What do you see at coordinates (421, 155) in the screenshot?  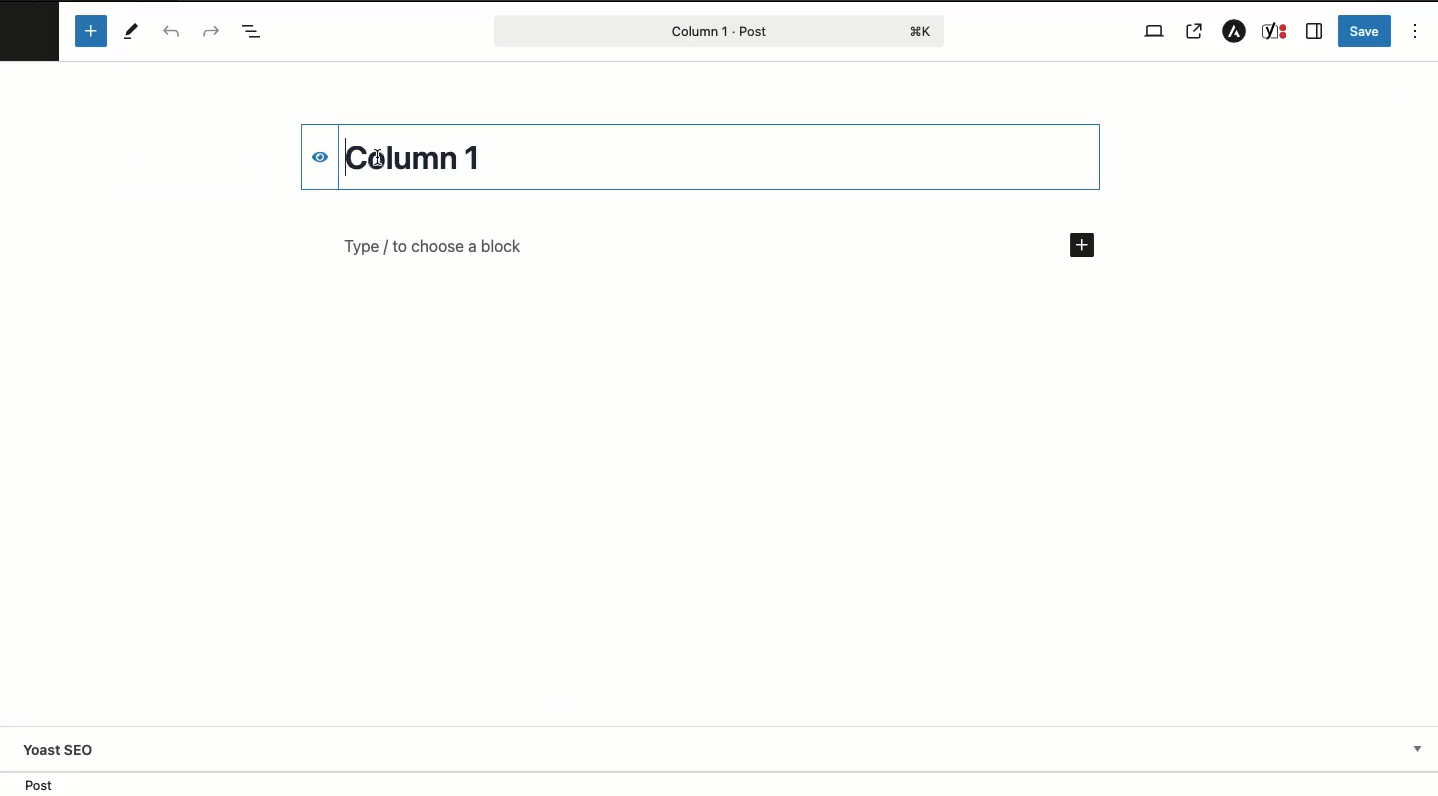 I see `Title` at bounding box center [421, 155].